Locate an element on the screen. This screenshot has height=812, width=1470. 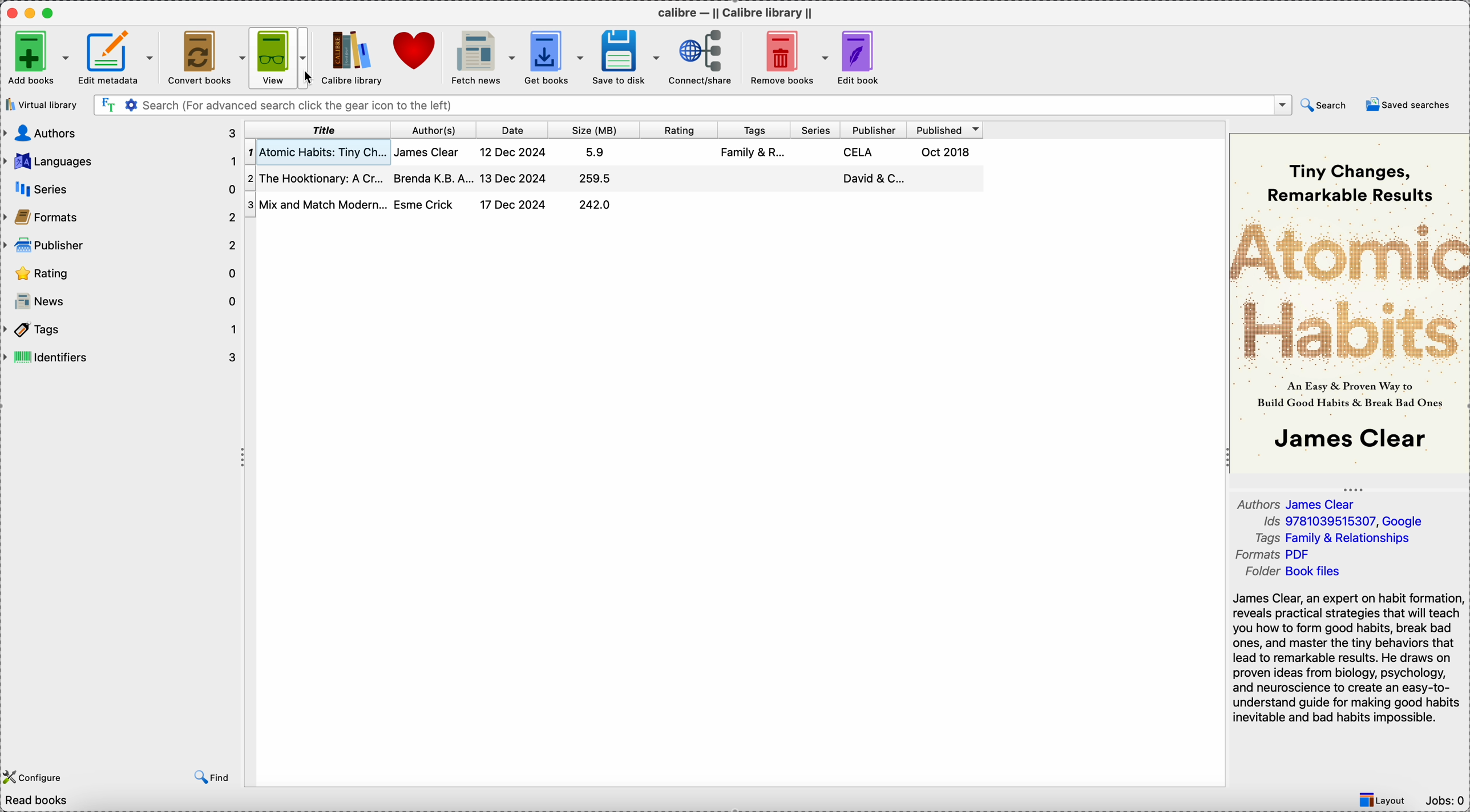
17 Dec 2024 is located at coordinates (514, 205).